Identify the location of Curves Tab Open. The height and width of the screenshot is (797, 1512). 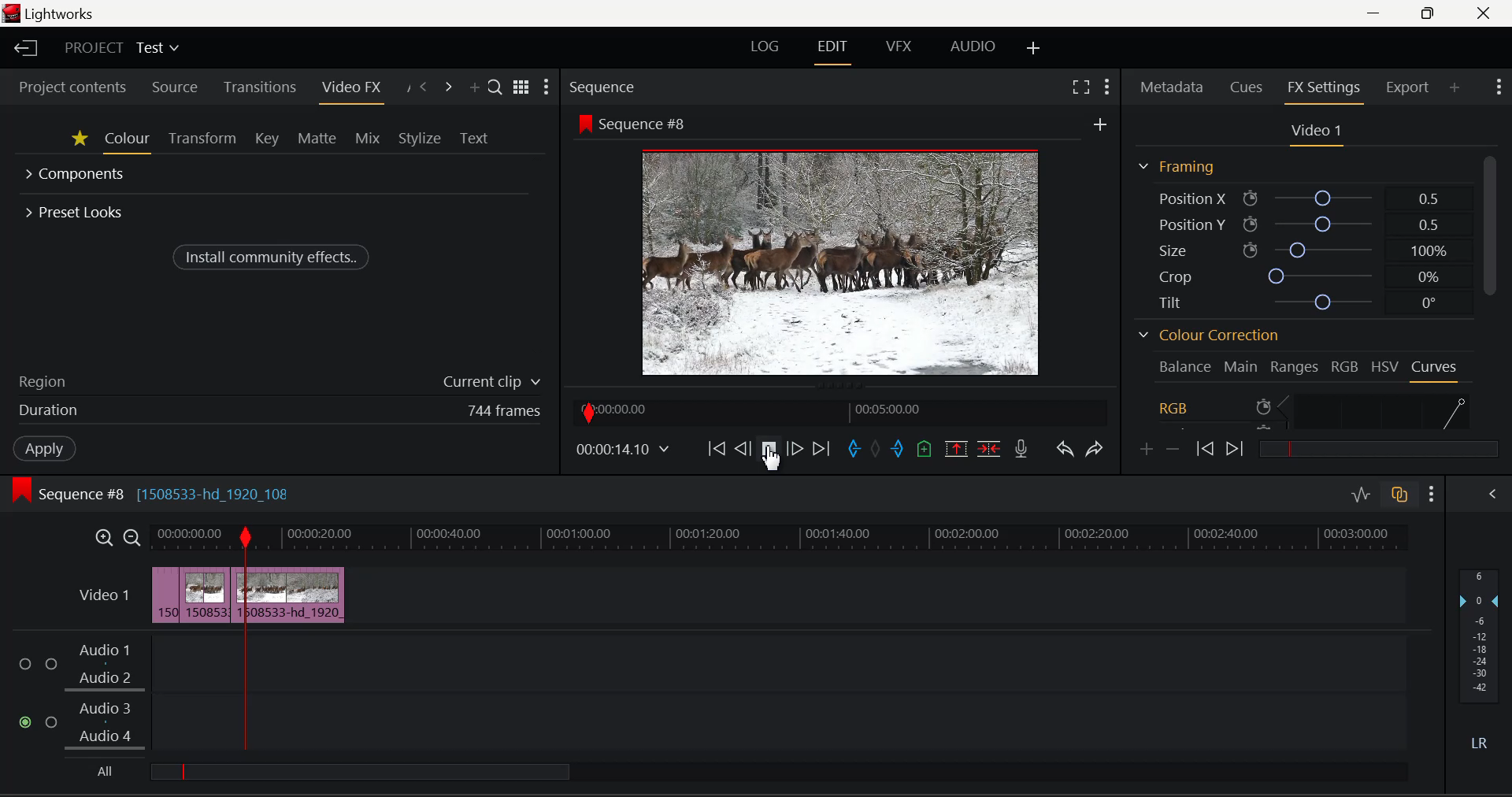
(1433, 369).